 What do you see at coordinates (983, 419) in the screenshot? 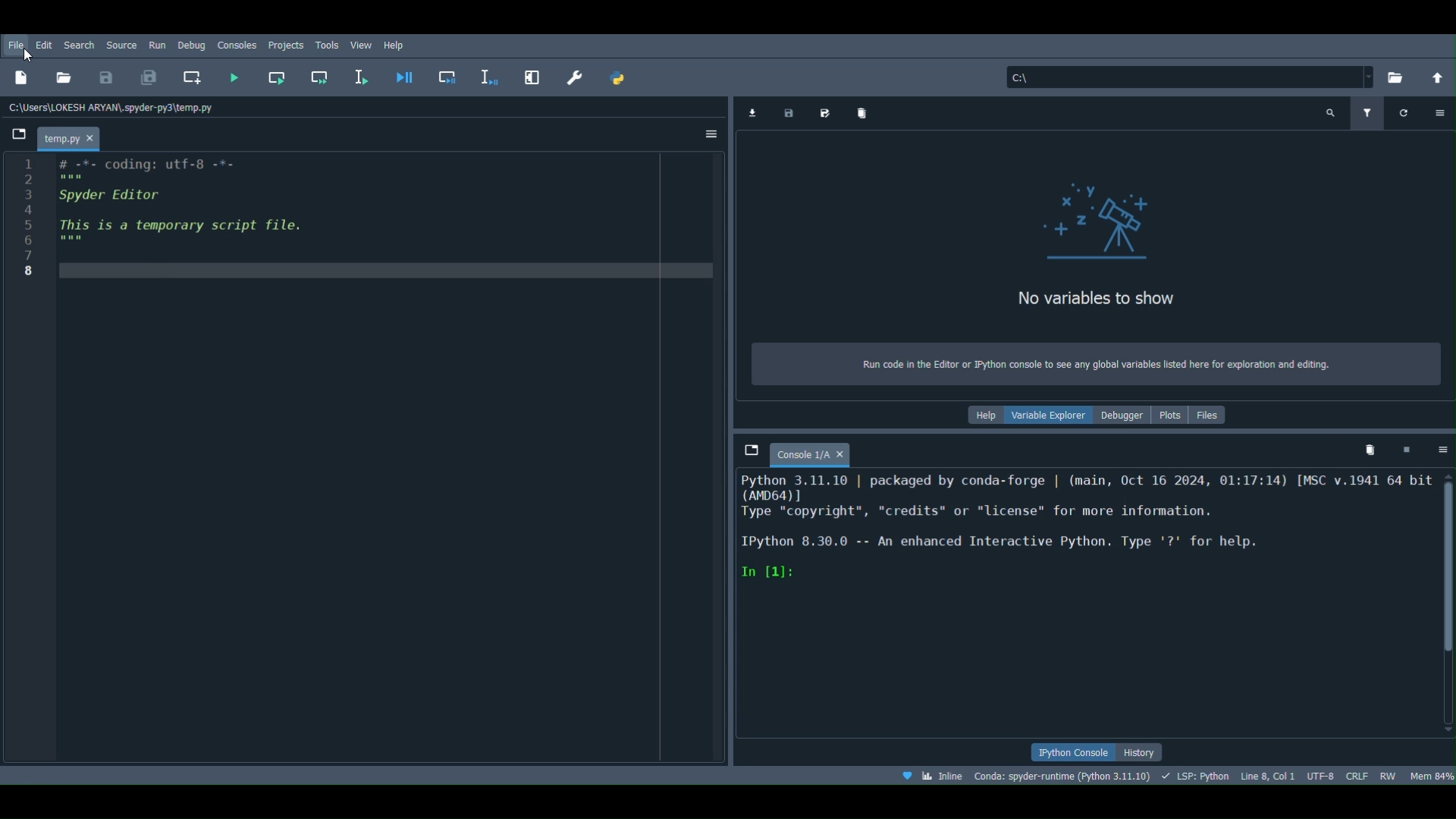
I see `Help` at bounding box center [983, 419].